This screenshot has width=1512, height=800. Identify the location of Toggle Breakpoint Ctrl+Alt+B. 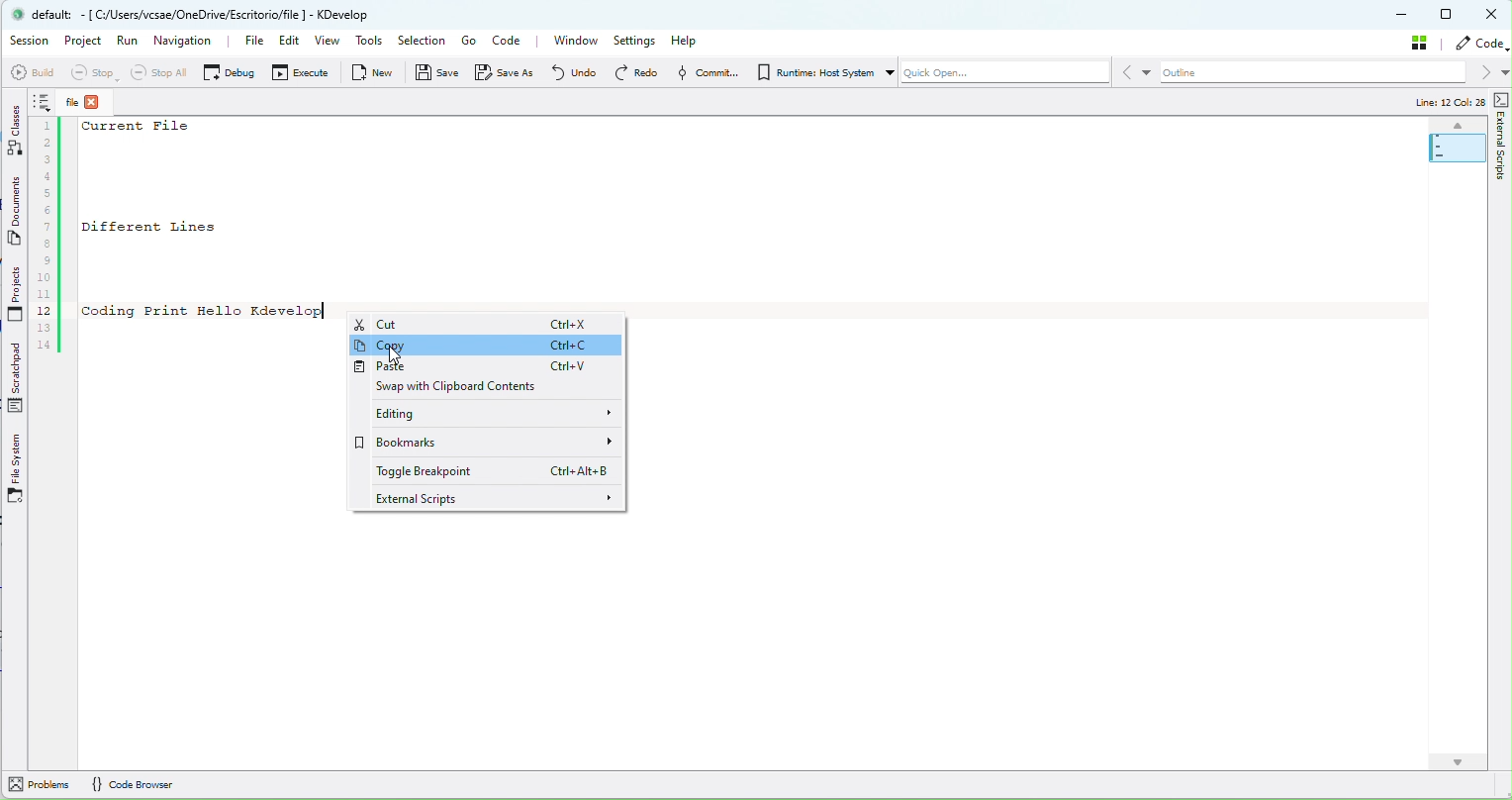
(498, 474).